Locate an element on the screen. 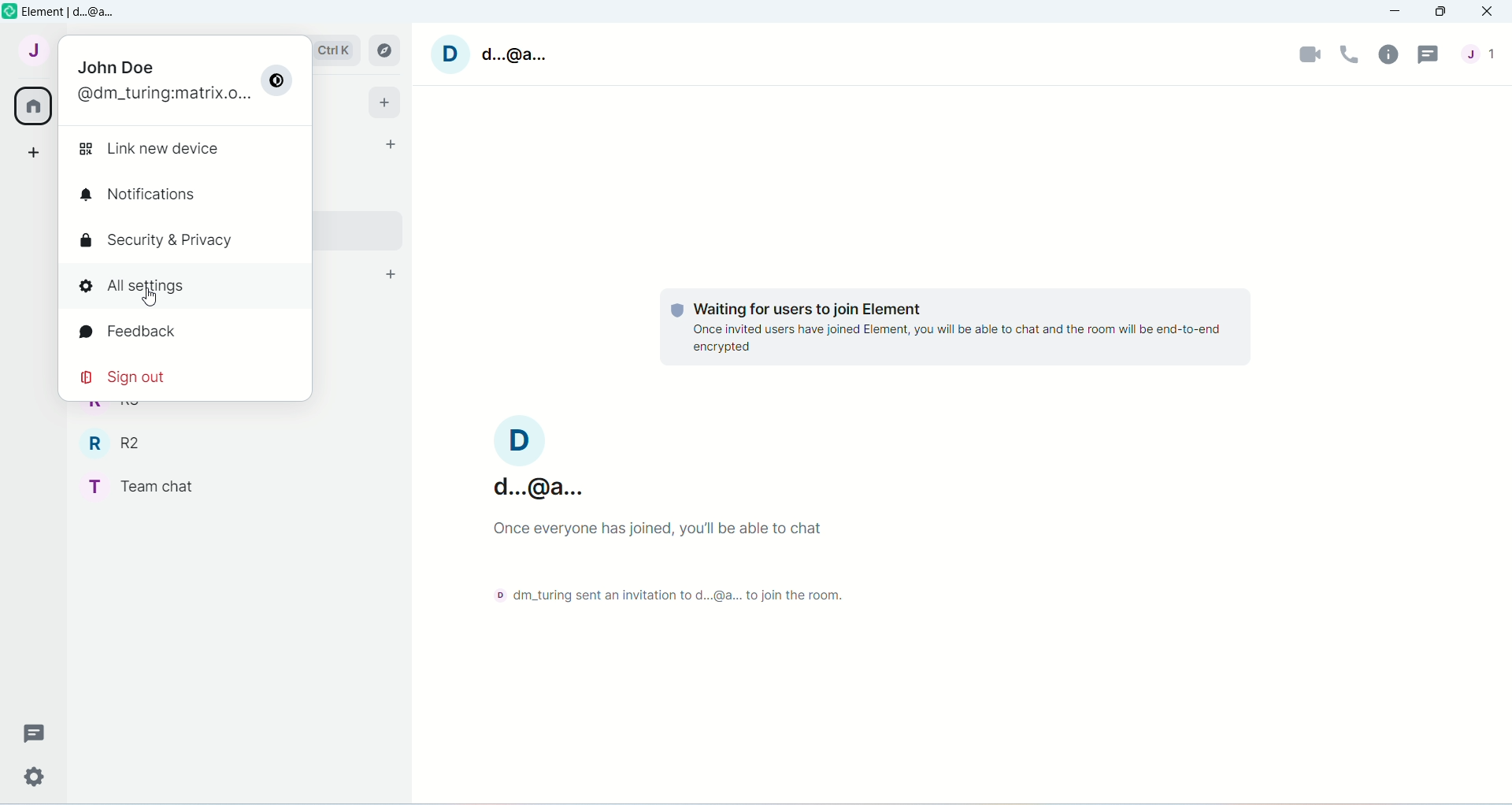 Image resolution: width=1512 pixels, height=805 pixels. Element app icon is located at coordinates (10, 12).